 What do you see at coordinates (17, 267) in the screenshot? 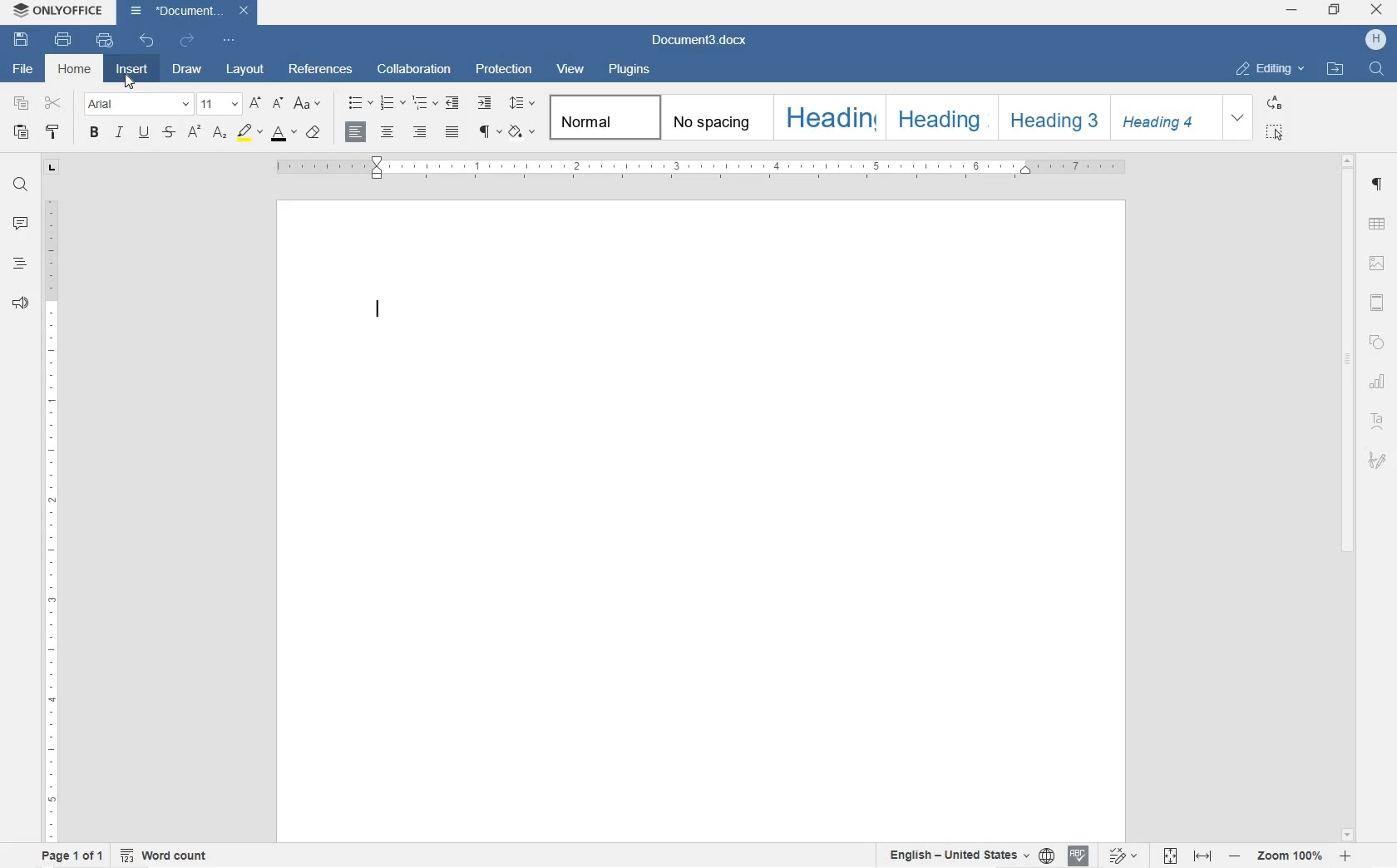
I see `HEADINGS` at bounding box center [17, 267].